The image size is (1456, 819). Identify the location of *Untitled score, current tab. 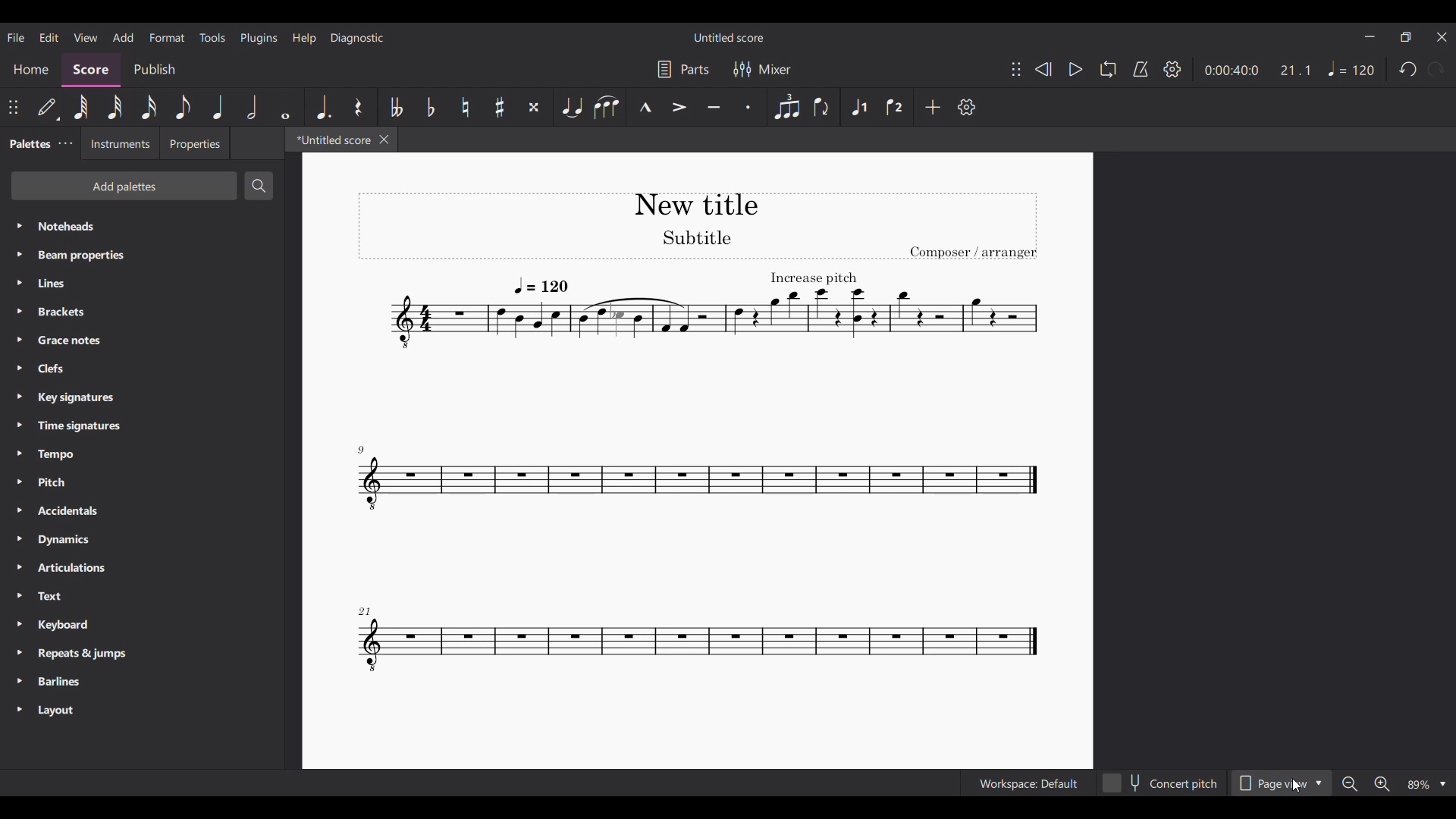
(329, 140).